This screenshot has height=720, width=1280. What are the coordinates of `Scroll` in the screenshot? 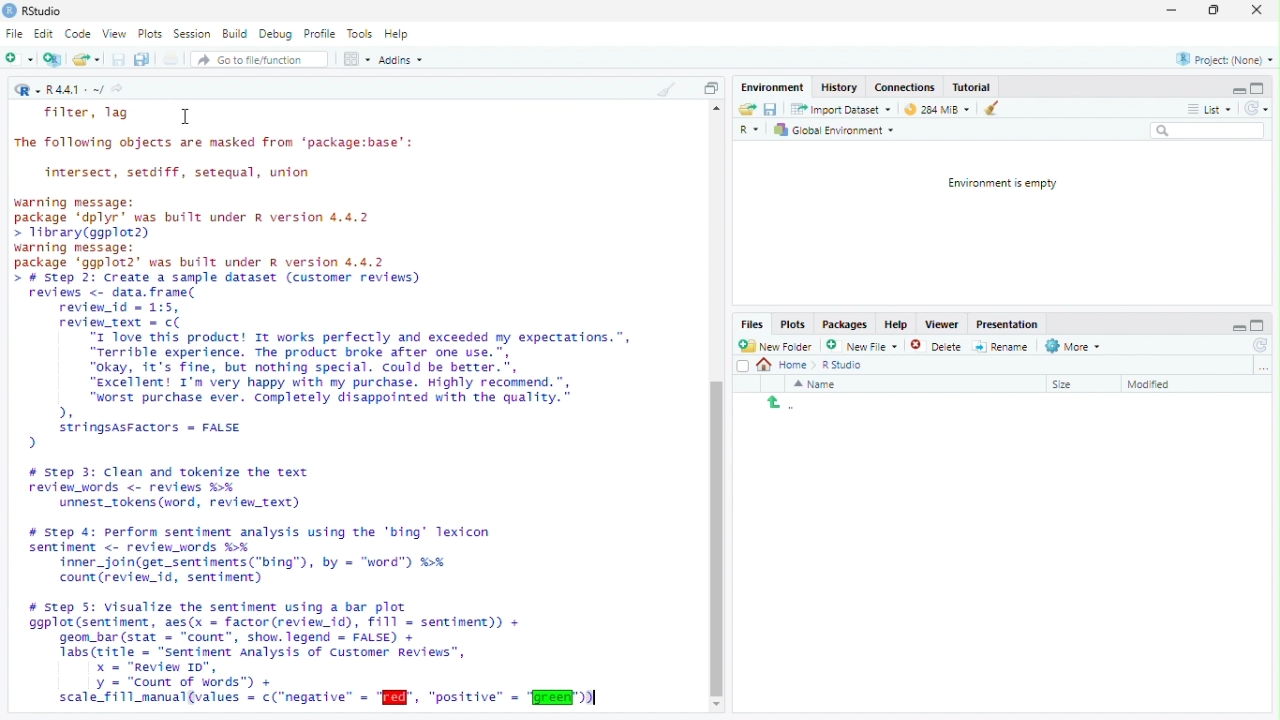 It's located at (716, 408).